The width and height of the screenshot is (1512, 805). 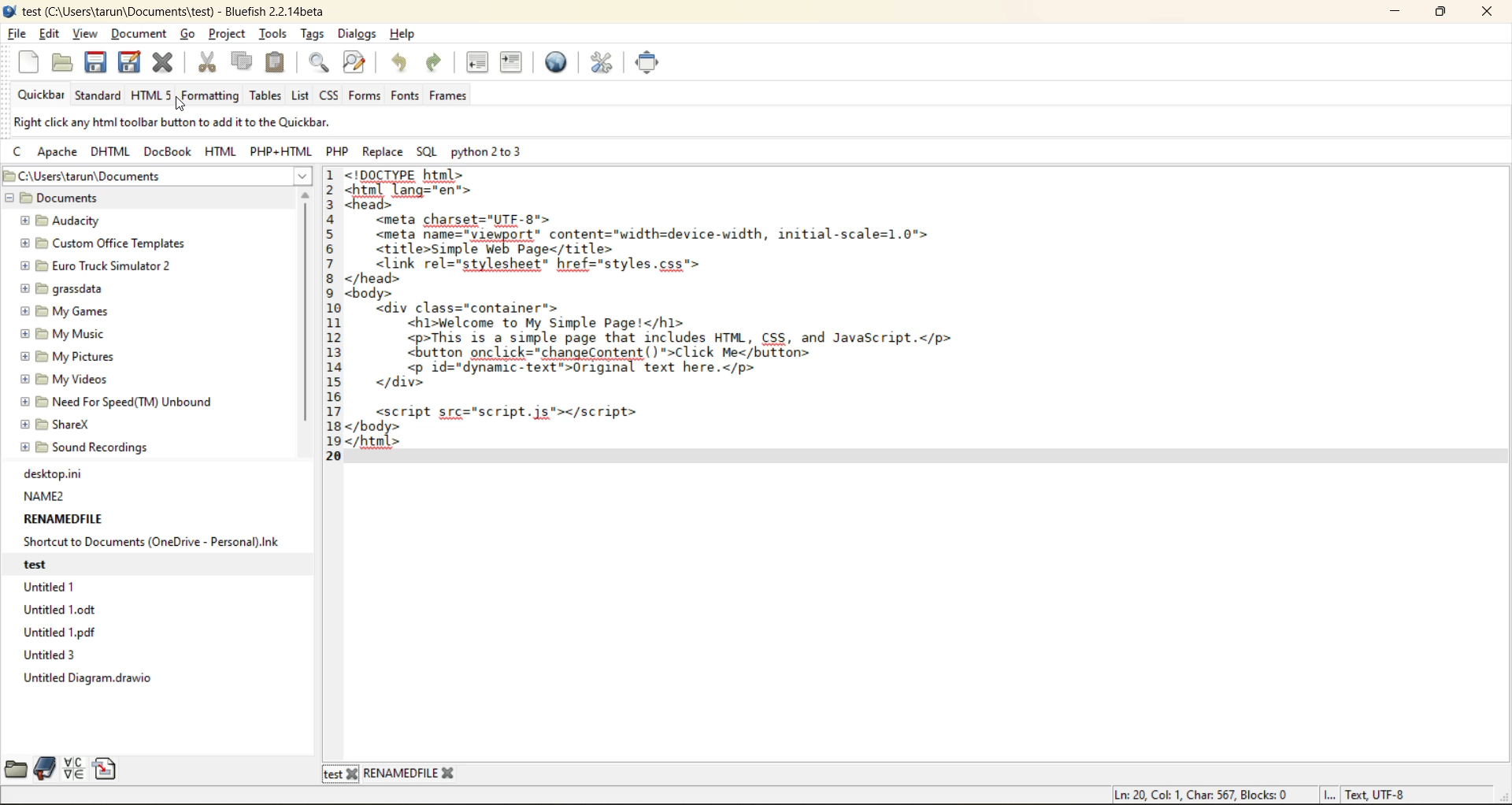 I want to click on documents, so click(x=74, y=199).